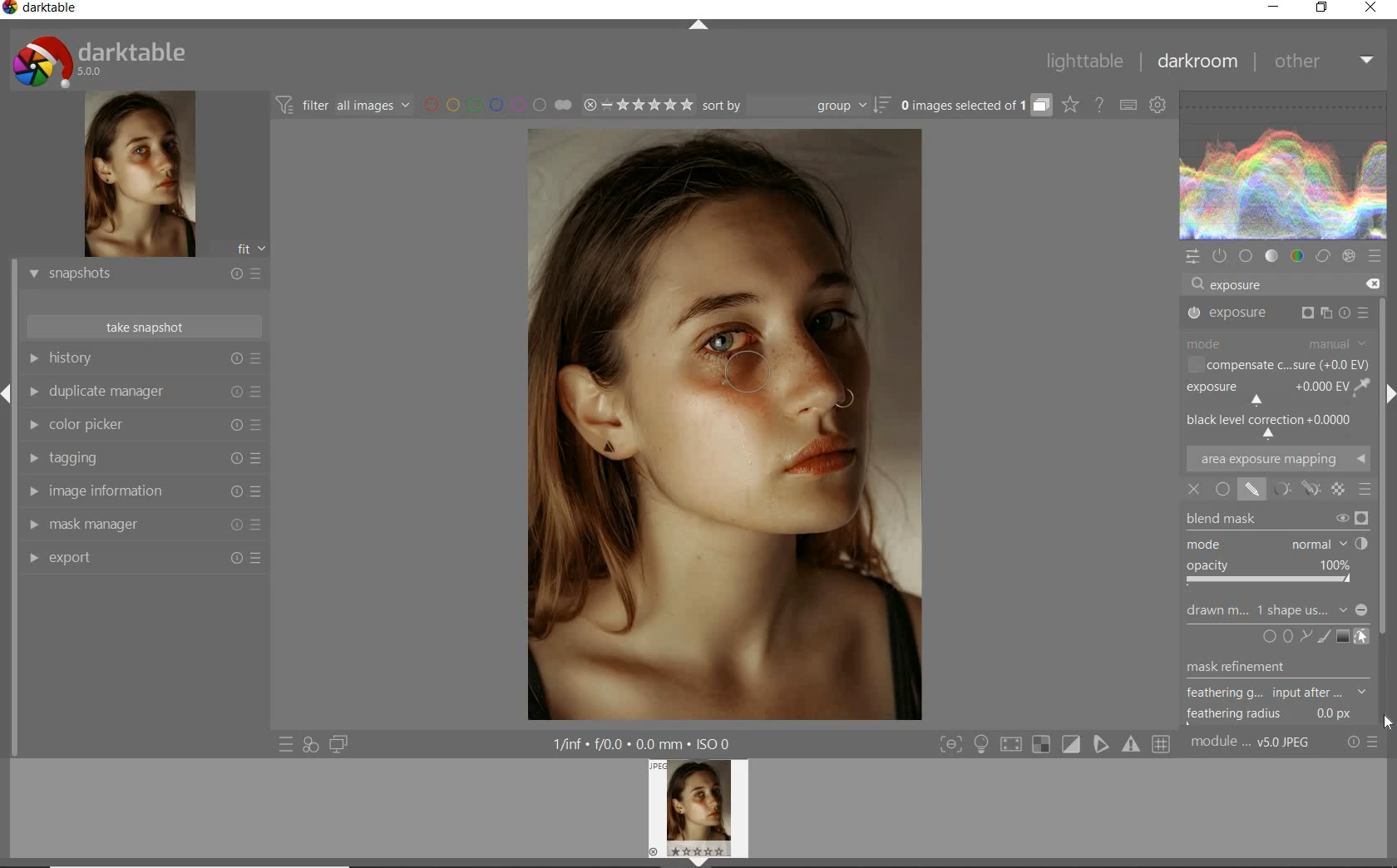 The height and width of the screenshot is (868, 1397). Describe the element at coordinates (1191, 257) in the screenshot. I see `quick access panel` at that location.